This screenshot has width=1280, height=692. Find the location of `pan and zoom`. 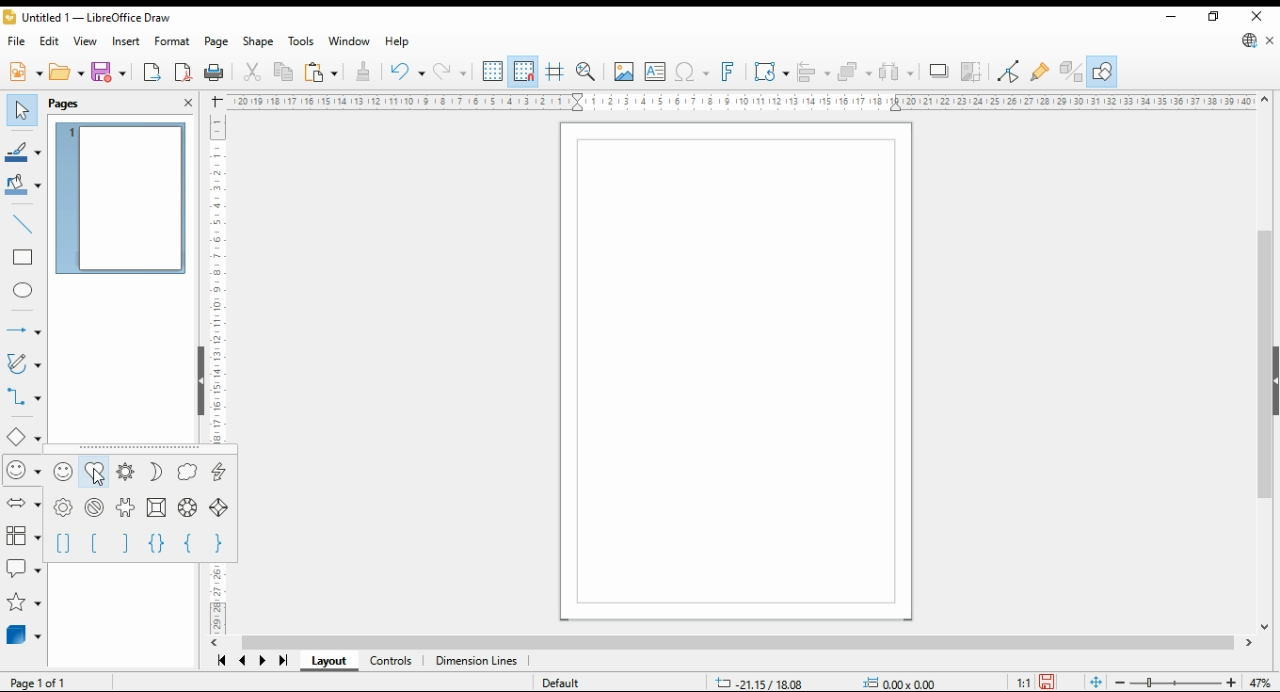

pan and zoom is located at coordinates (587, 72).